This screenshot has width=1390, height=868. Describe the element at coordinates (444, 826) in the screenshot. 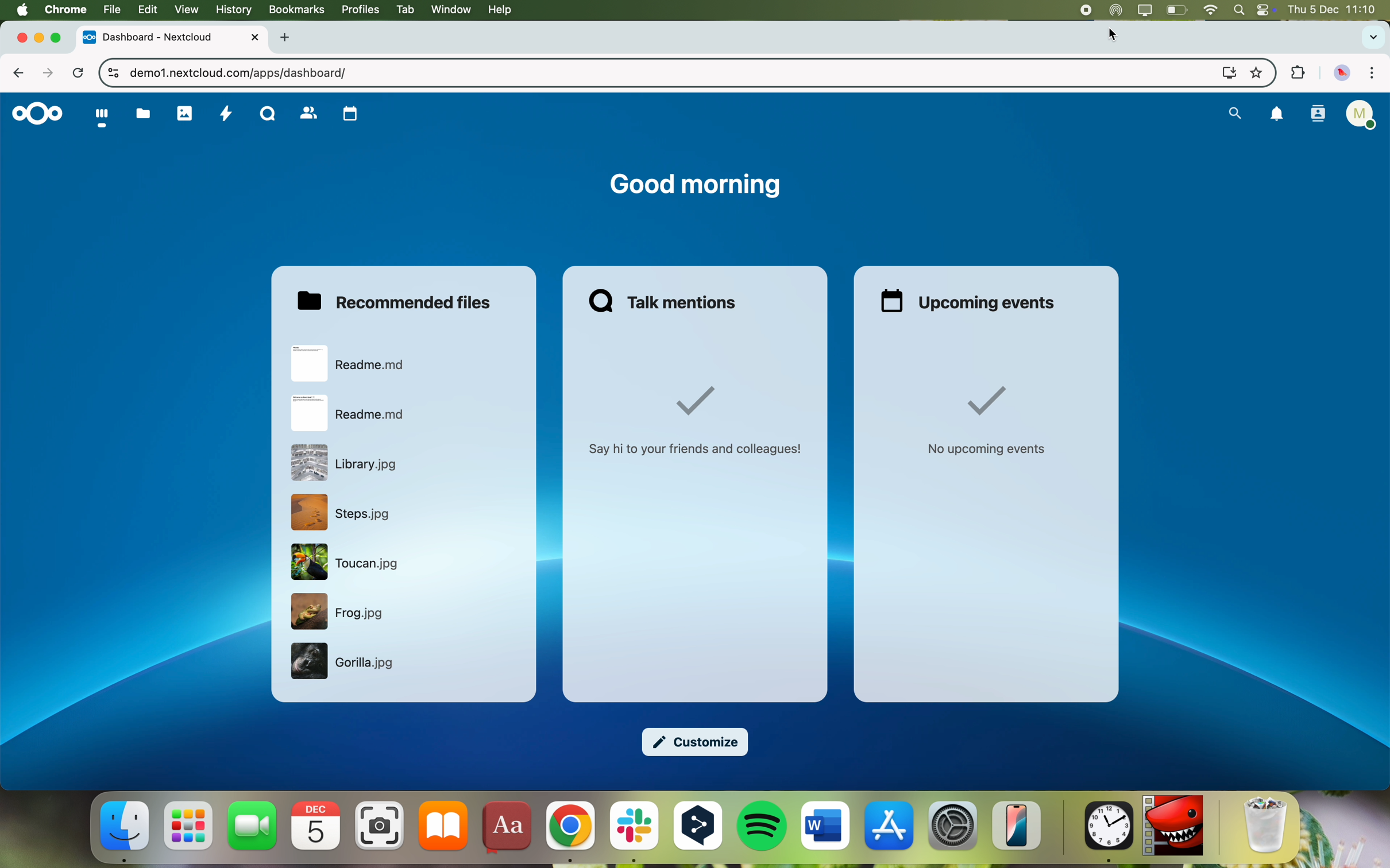

I see `iBooks` at that location.